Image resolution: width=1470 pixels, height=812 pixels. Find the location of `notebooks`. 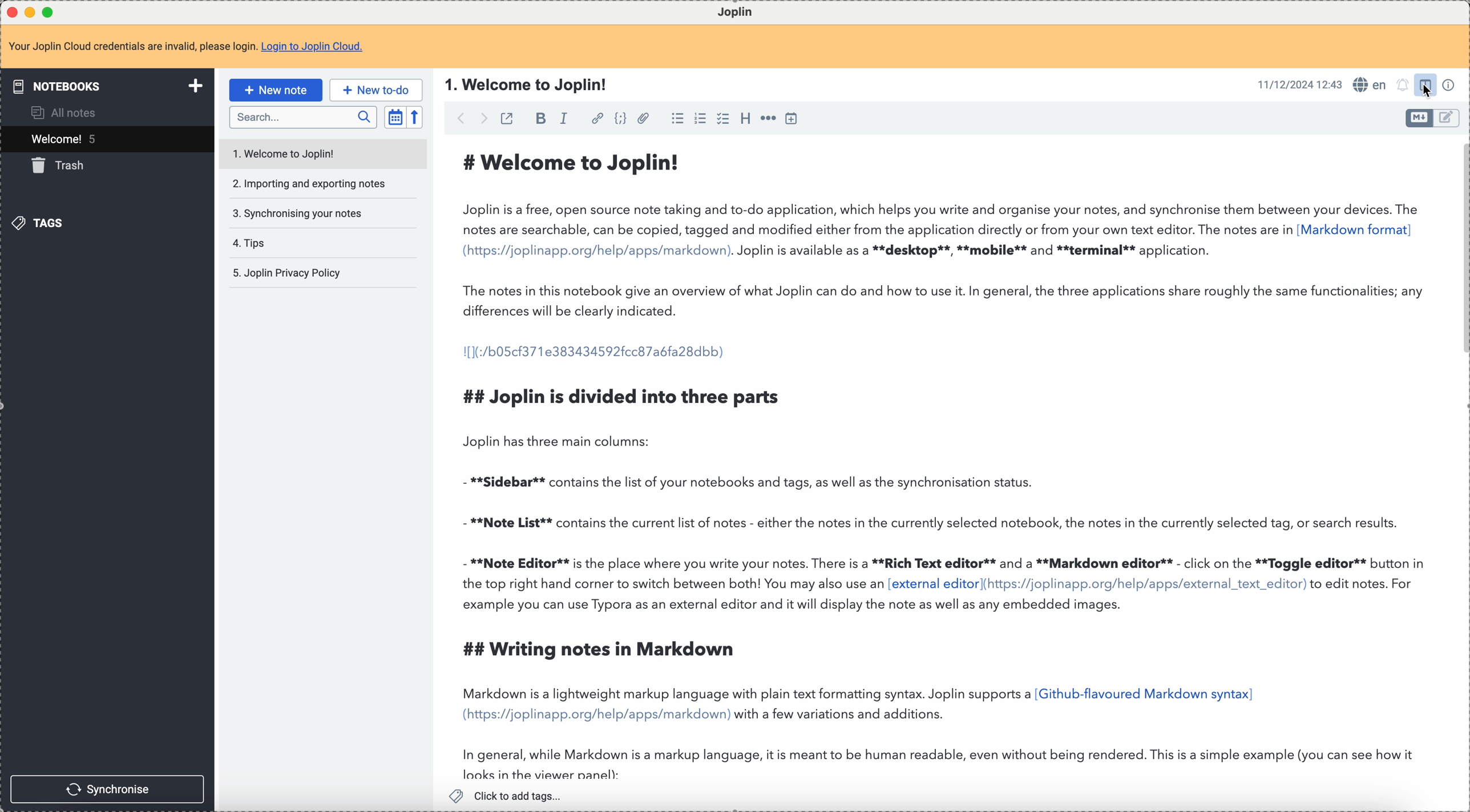

notebooks is located at coordinates (105, 86).